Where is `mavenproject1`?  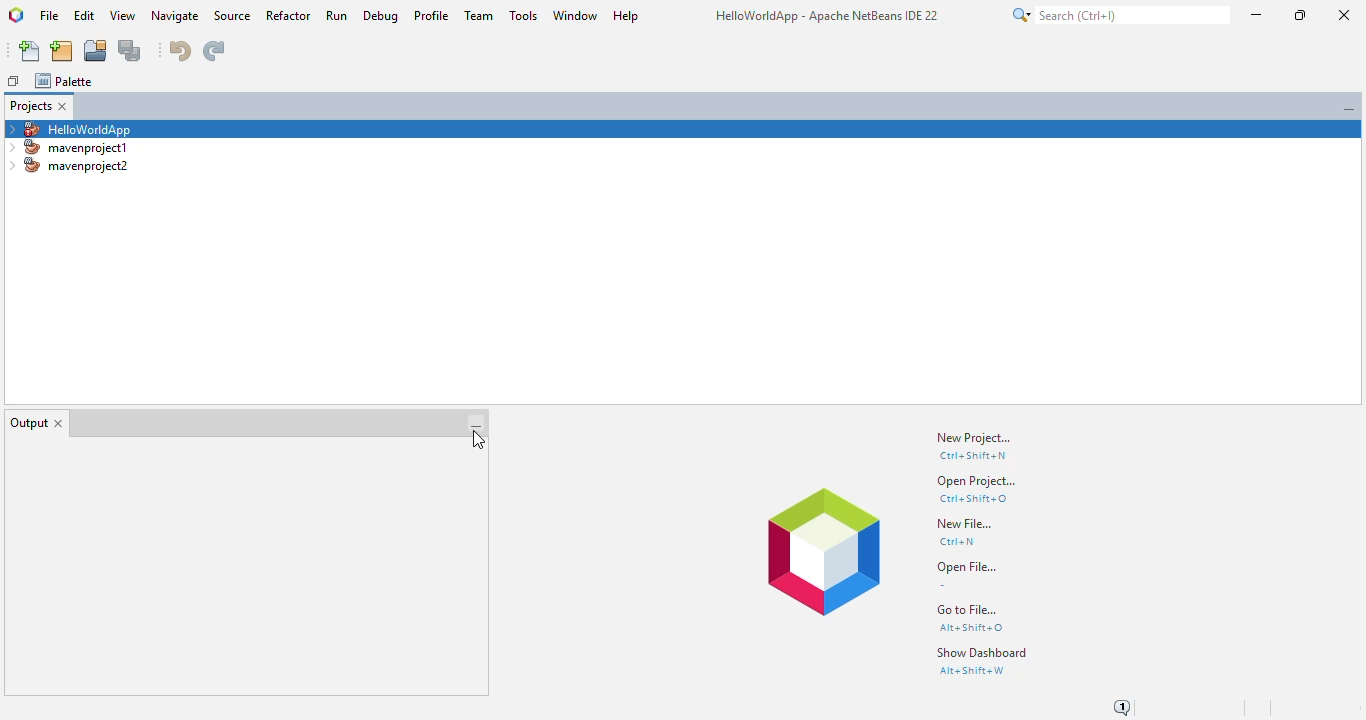 mavenproject1 is located at coordinates (71, 147).